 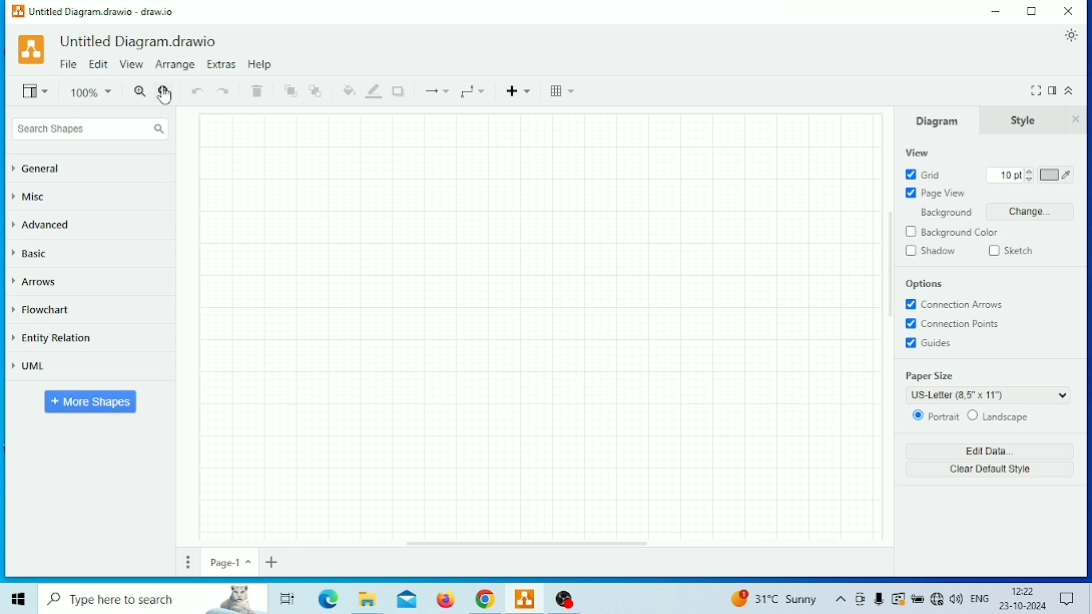 What do you see at coordinates (154, 599) in the screenshot?
I see `Type here to search` at bounding box center [154, 599].